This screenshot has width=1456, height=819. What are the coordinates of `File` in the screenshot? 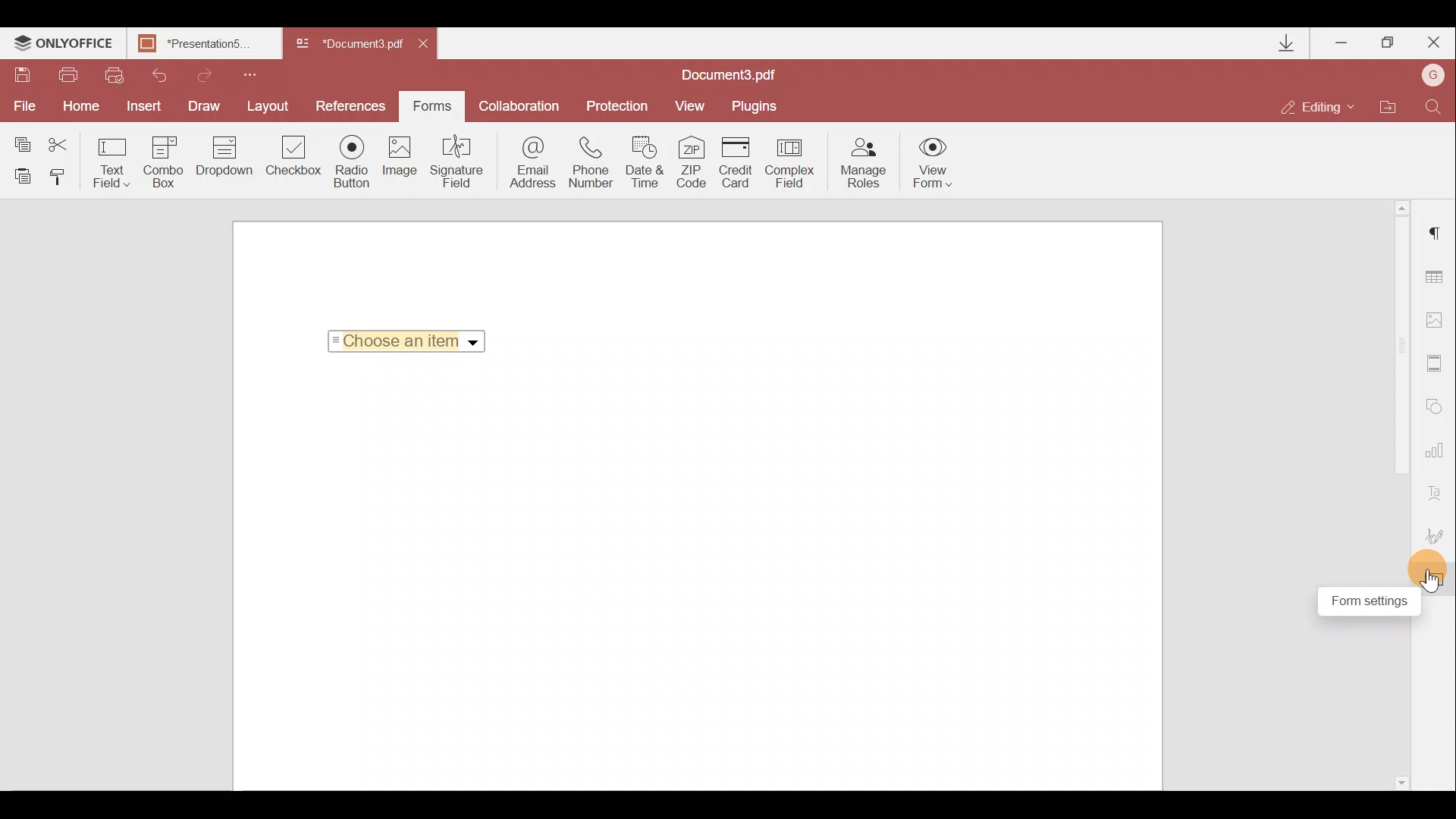 It's located at (23, 106).